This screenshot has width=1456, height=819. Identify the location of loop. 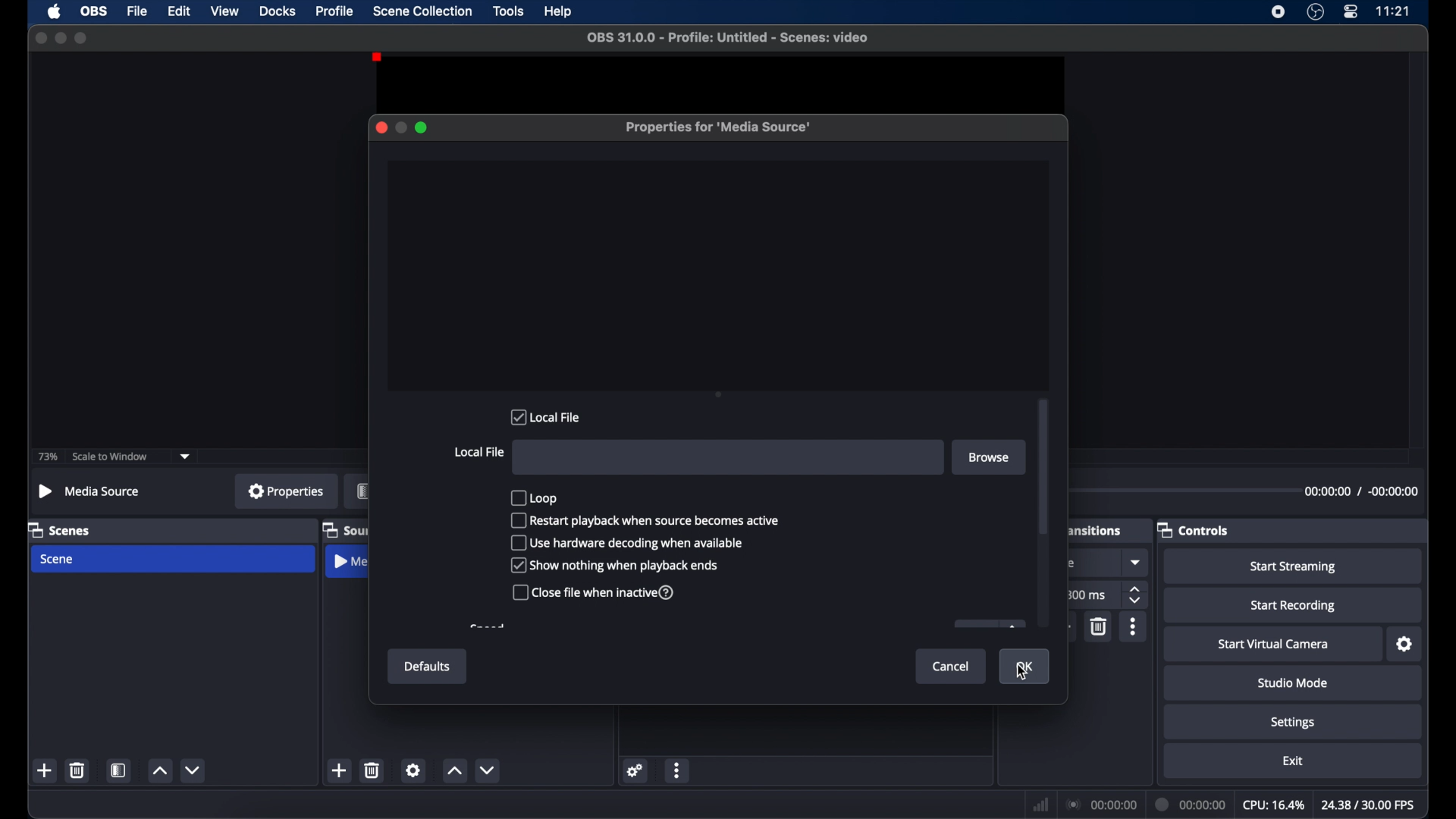
(536, 497).